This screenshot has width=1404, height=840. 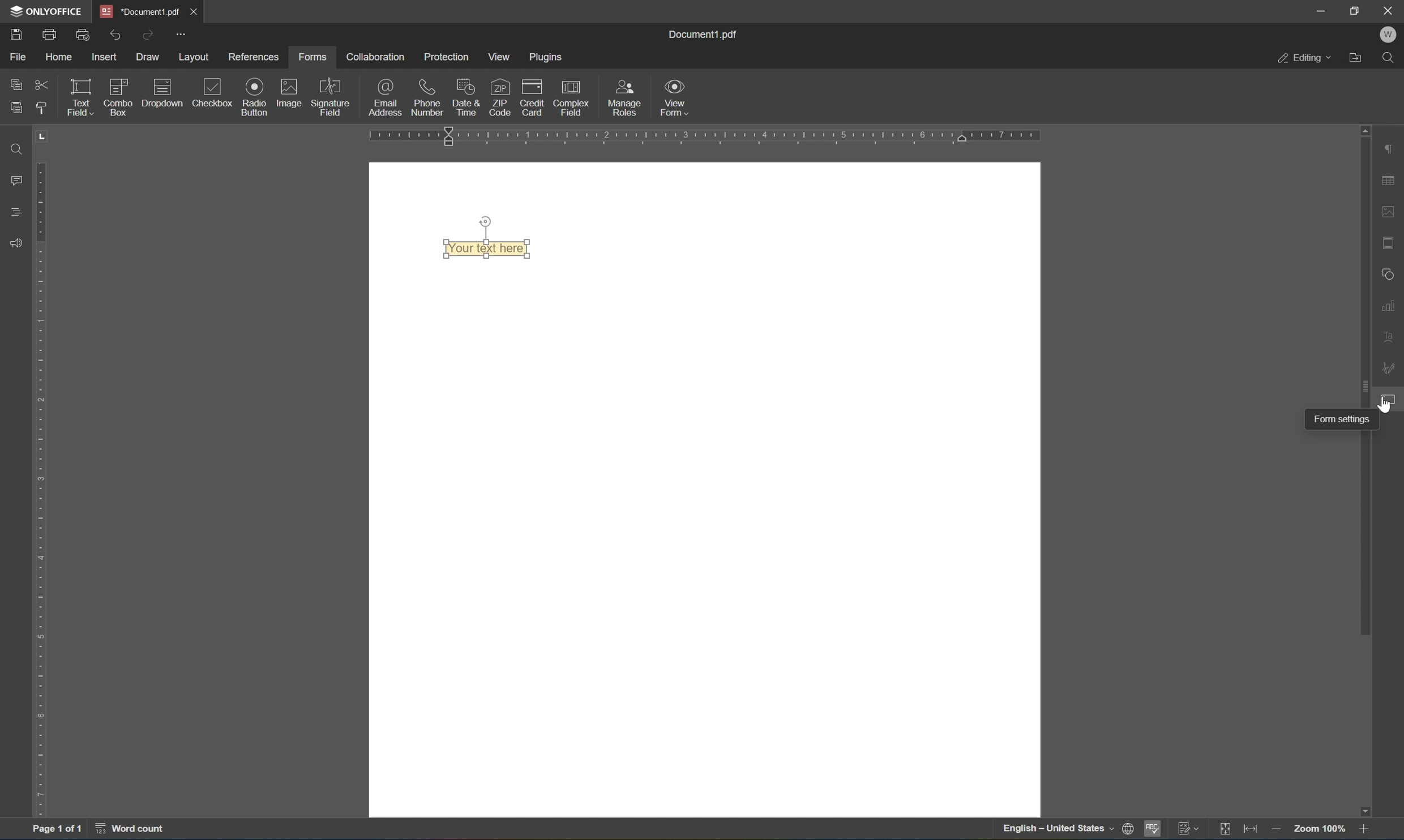 What do you see at coordinates (533, 96) in the screenshot?
I see `credit card` at bounding box center [533, 96].